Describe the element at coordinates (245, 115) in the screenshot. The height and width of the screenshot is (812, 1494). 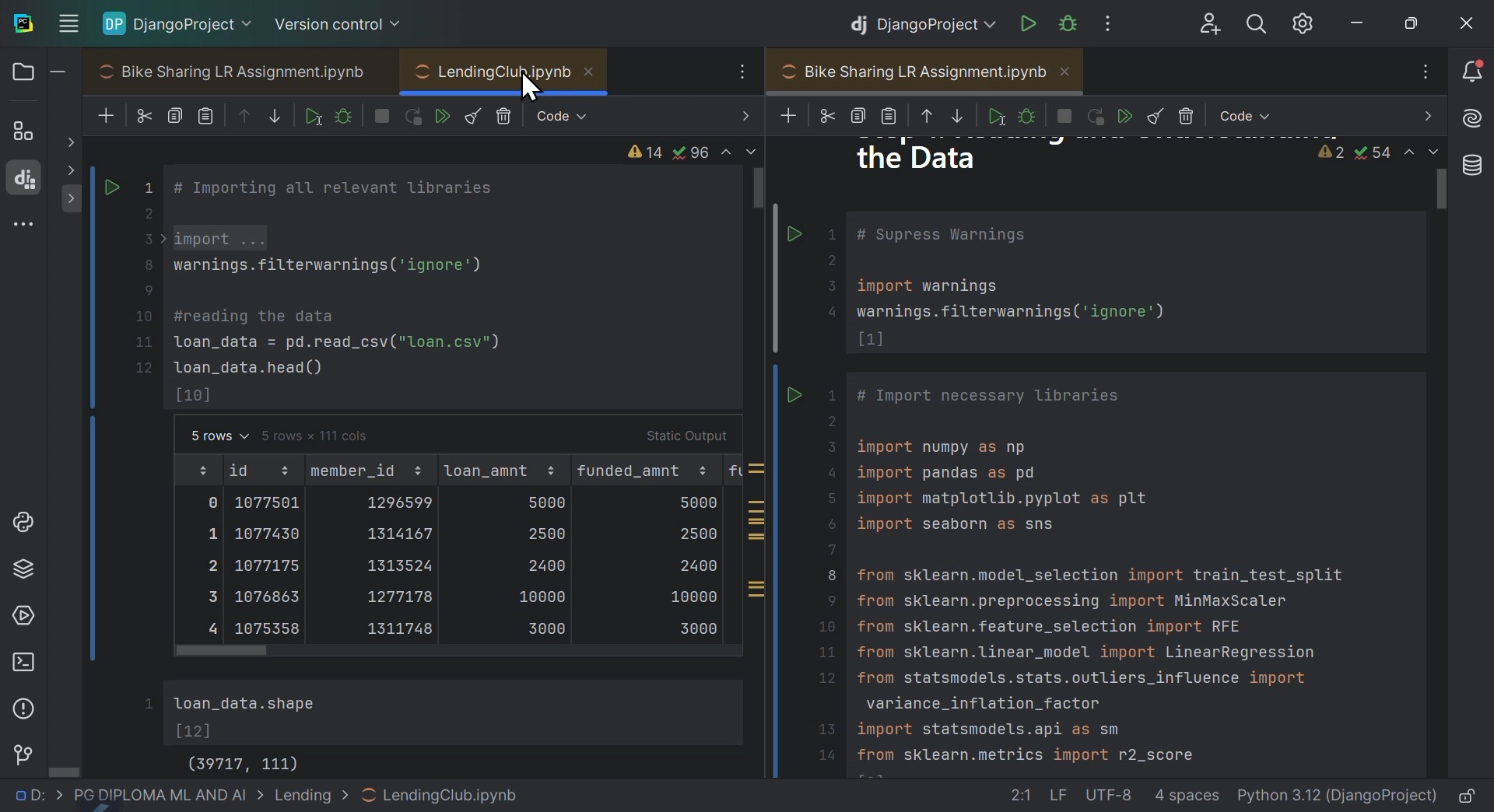
I see `move cell up` at that location.